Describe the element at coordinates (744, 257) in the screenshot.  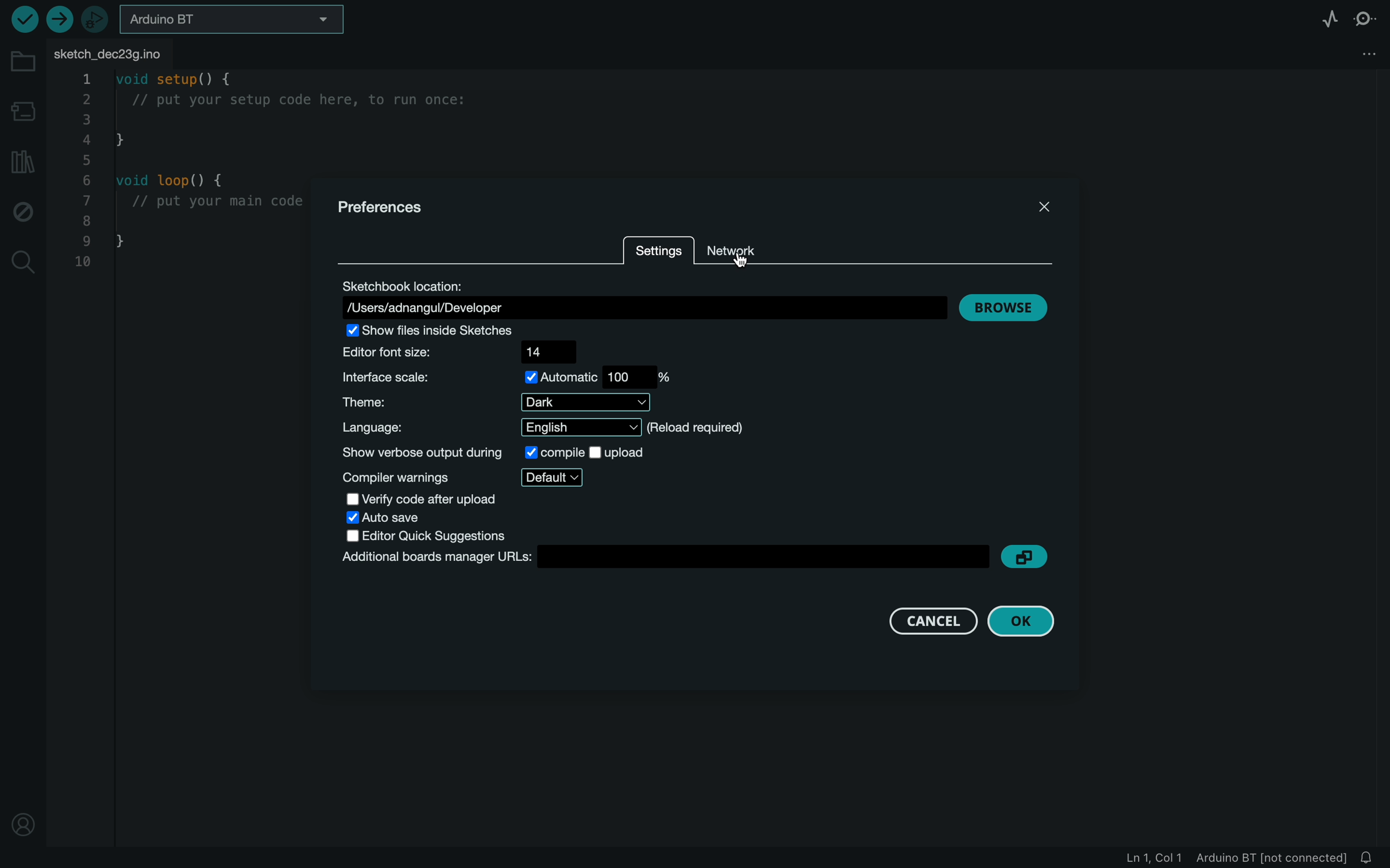
I see `cursor` at that location.